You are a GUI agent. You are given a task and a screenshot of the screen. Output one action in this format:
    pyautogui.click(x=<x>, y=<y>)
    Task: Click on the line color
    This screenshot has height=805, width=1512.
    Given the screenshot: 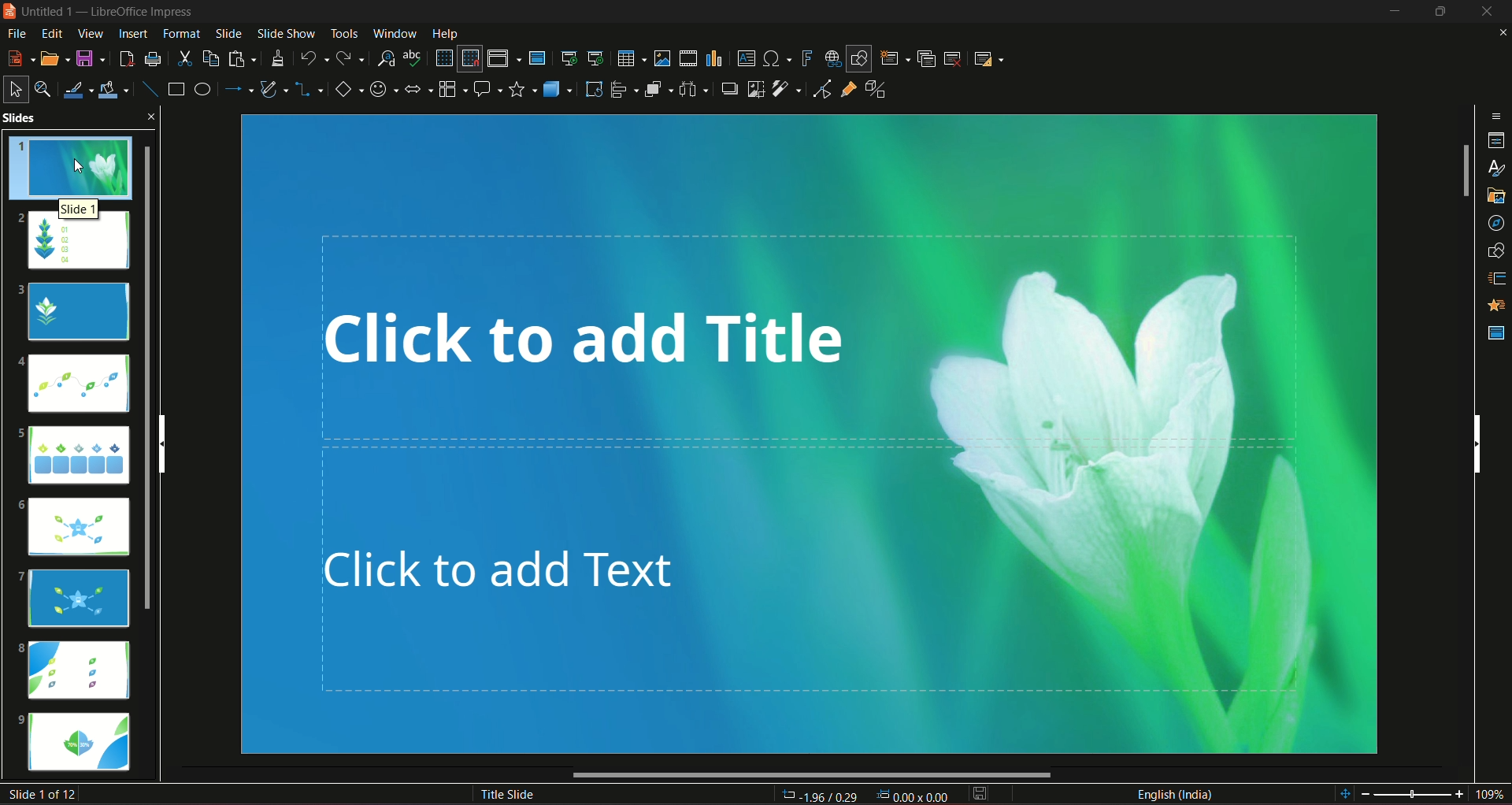 What is the action you would take?
    pyautogui.click(x=80, y=88)
    